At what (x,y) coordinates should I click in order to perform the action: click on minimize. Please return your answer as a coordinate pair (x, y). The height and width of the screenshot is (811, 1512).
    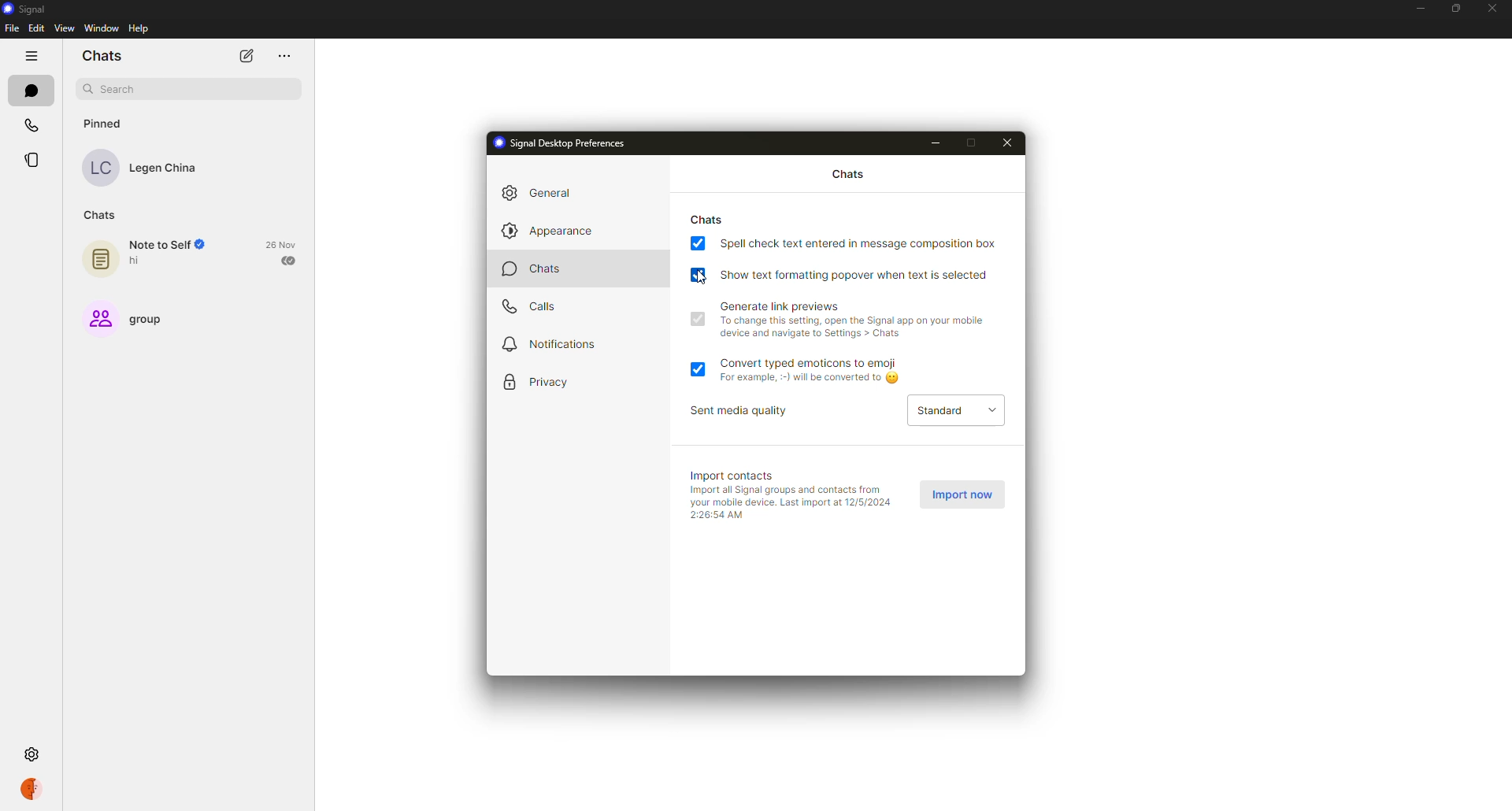
    Looking at the image, I should click on (940, 143).